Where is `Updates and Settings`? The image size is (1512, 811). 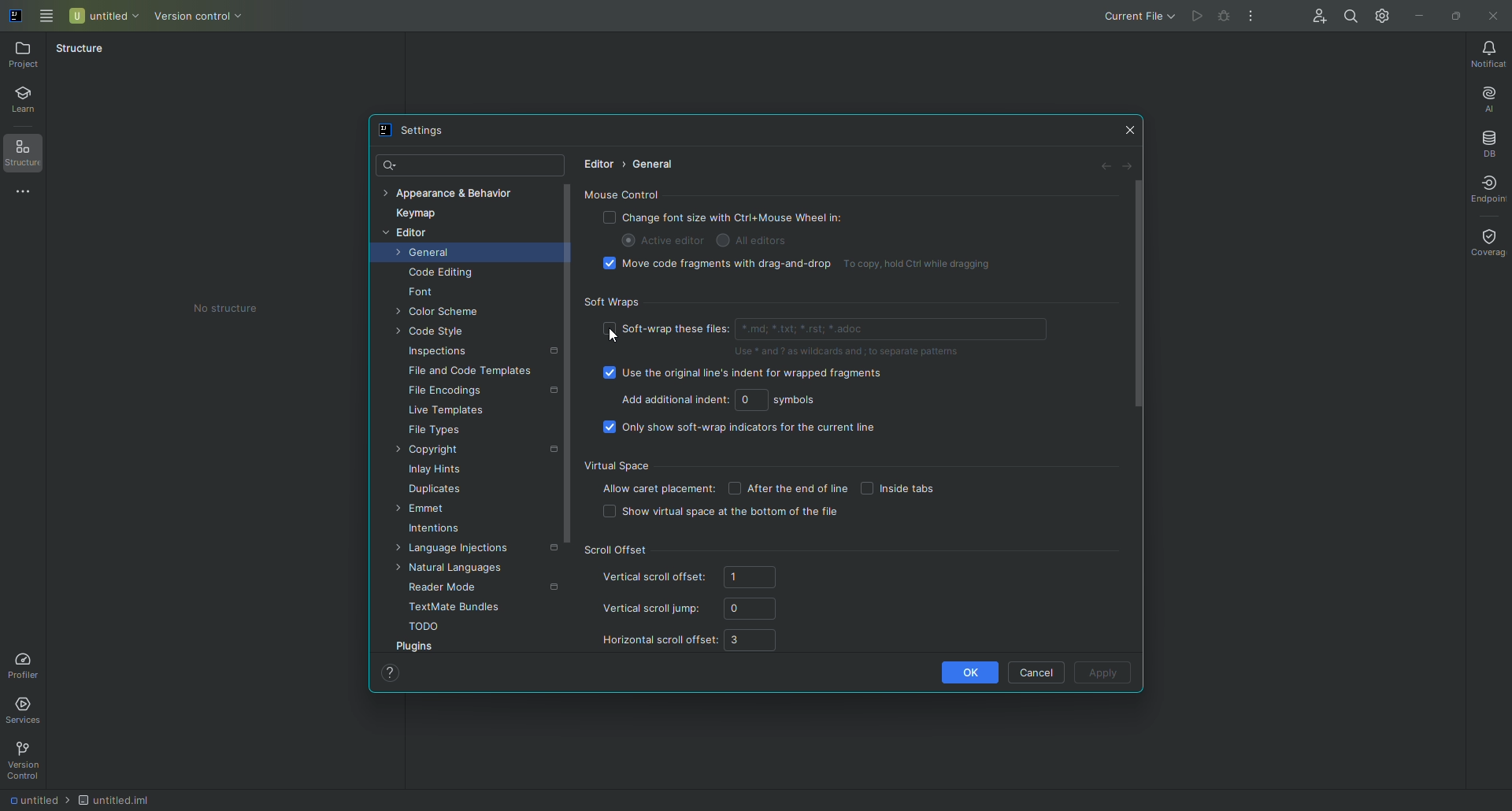
Updates and Settings is located at coordinates (1380, 15).